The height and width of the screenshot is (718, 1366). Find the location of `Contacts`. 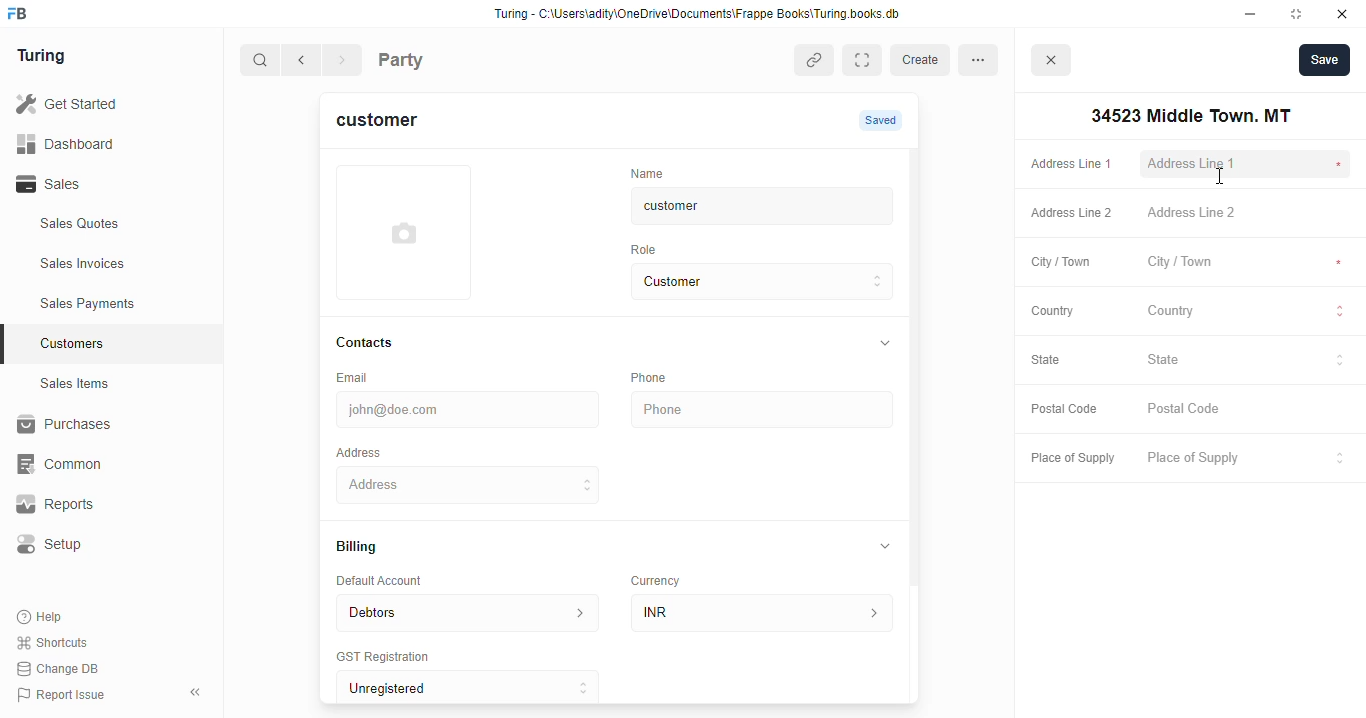

Contacts is located at coordinates (384, 343).